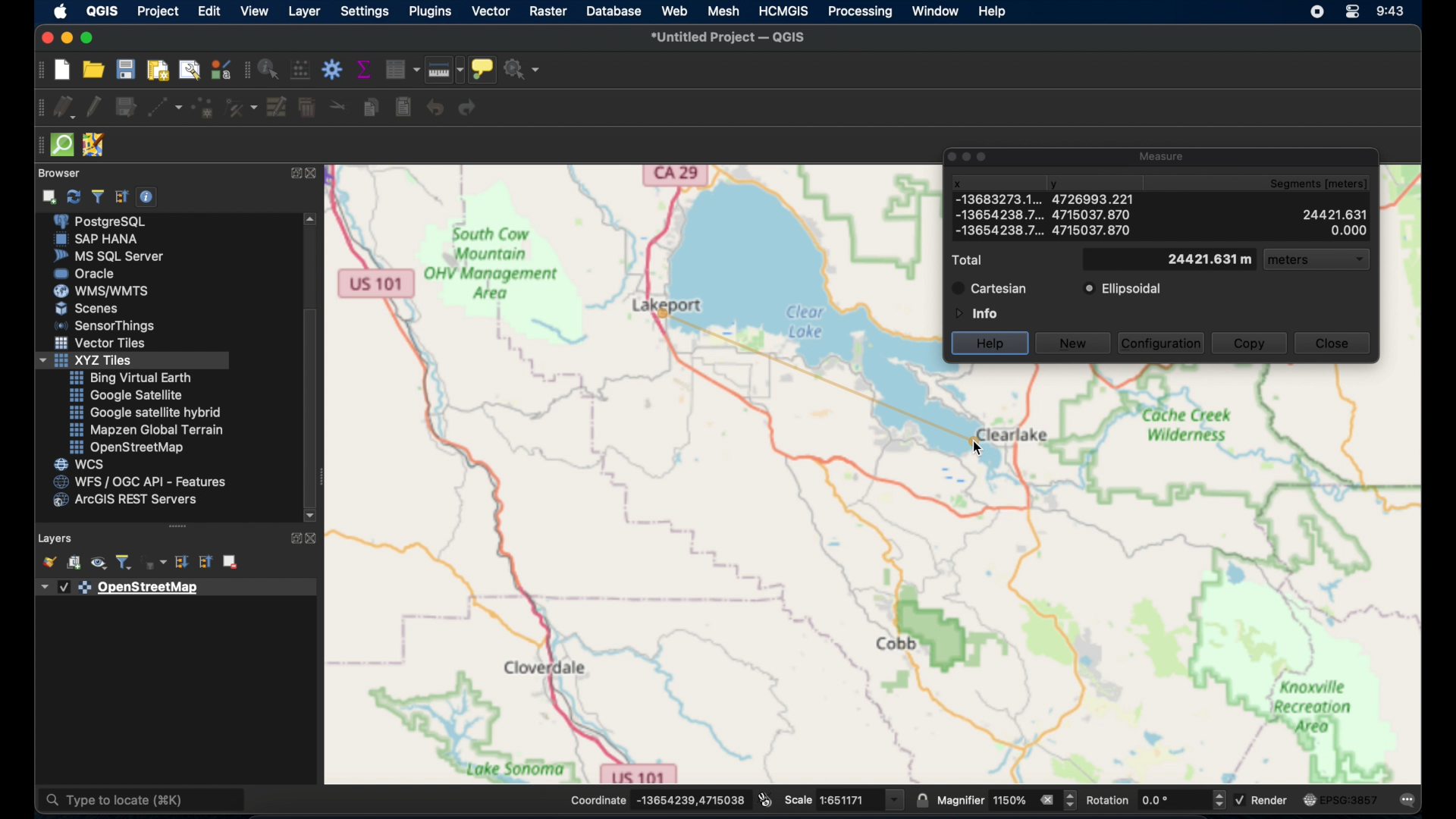 The height and width of the screenshot is (819, 1456). Describe the element at coordinates (403, 108) in the screenshot. I see `paste features` at that location.